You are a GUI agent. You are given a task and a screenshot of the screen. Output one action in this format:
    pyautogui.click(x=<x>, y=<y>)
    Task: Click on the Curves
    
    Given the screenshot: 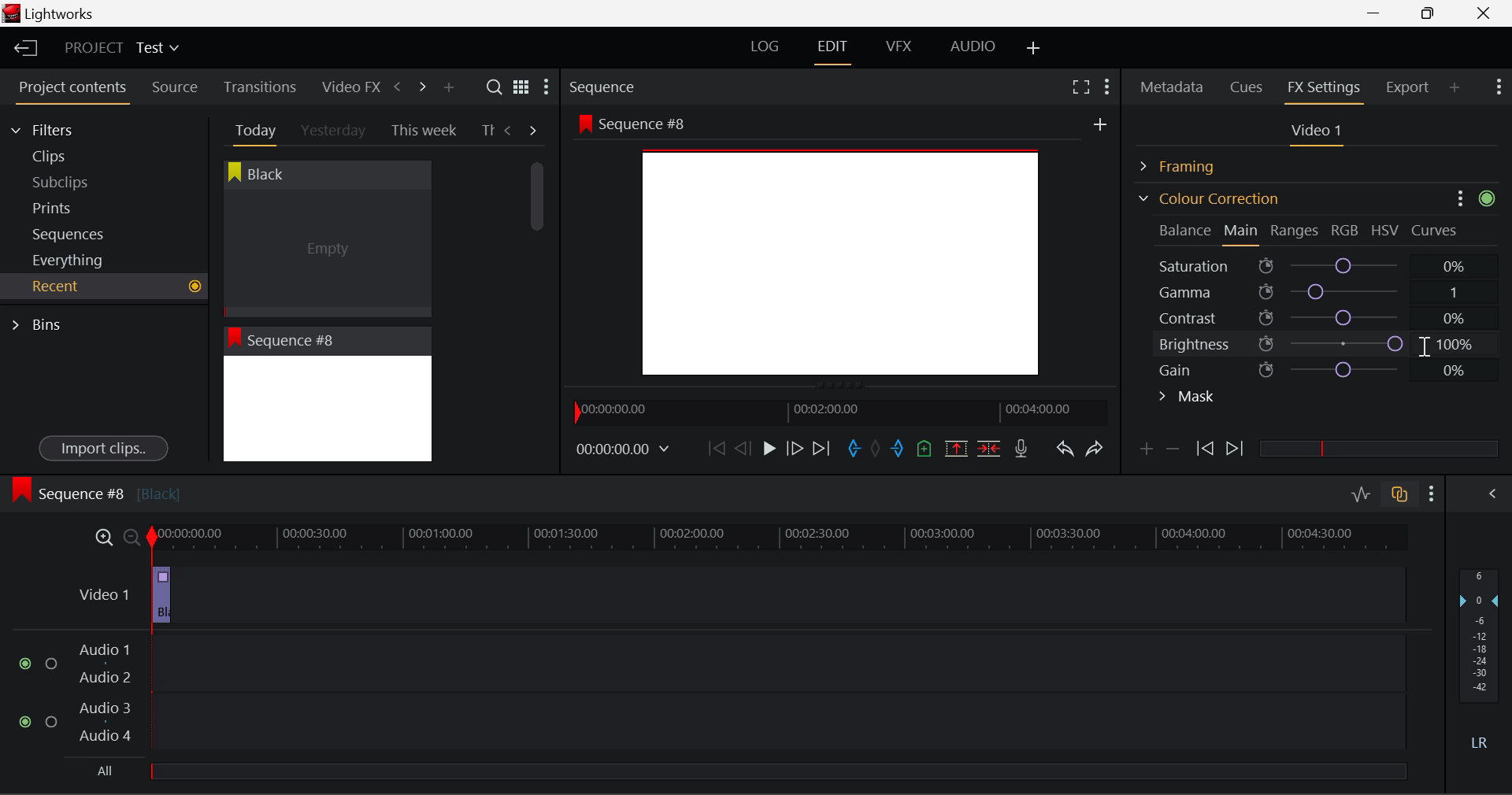 What is the action you would take?
    pyautogui.click(x=1436, y=230)
    